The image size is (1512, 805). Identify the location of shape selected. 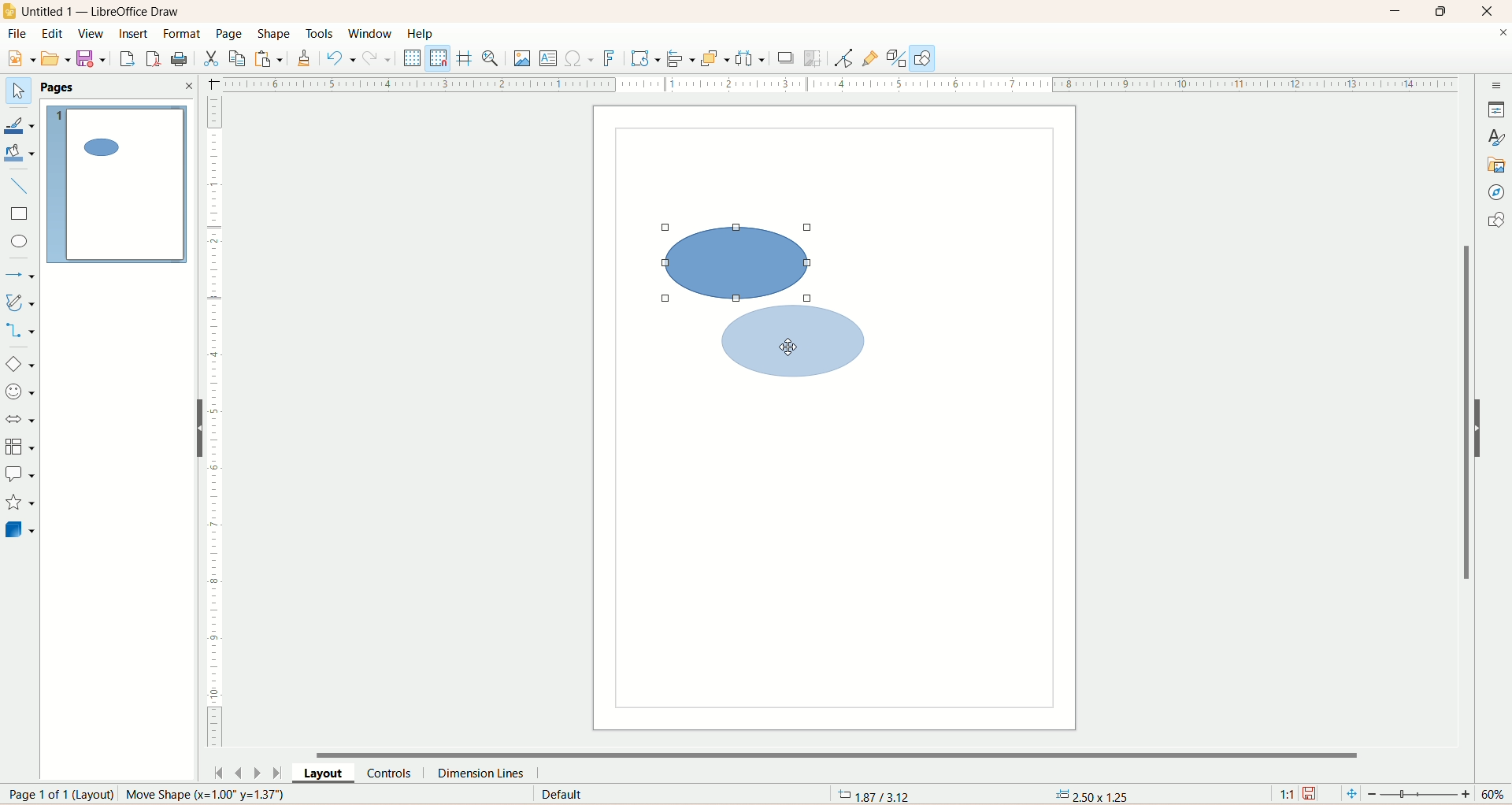
(733, 258).